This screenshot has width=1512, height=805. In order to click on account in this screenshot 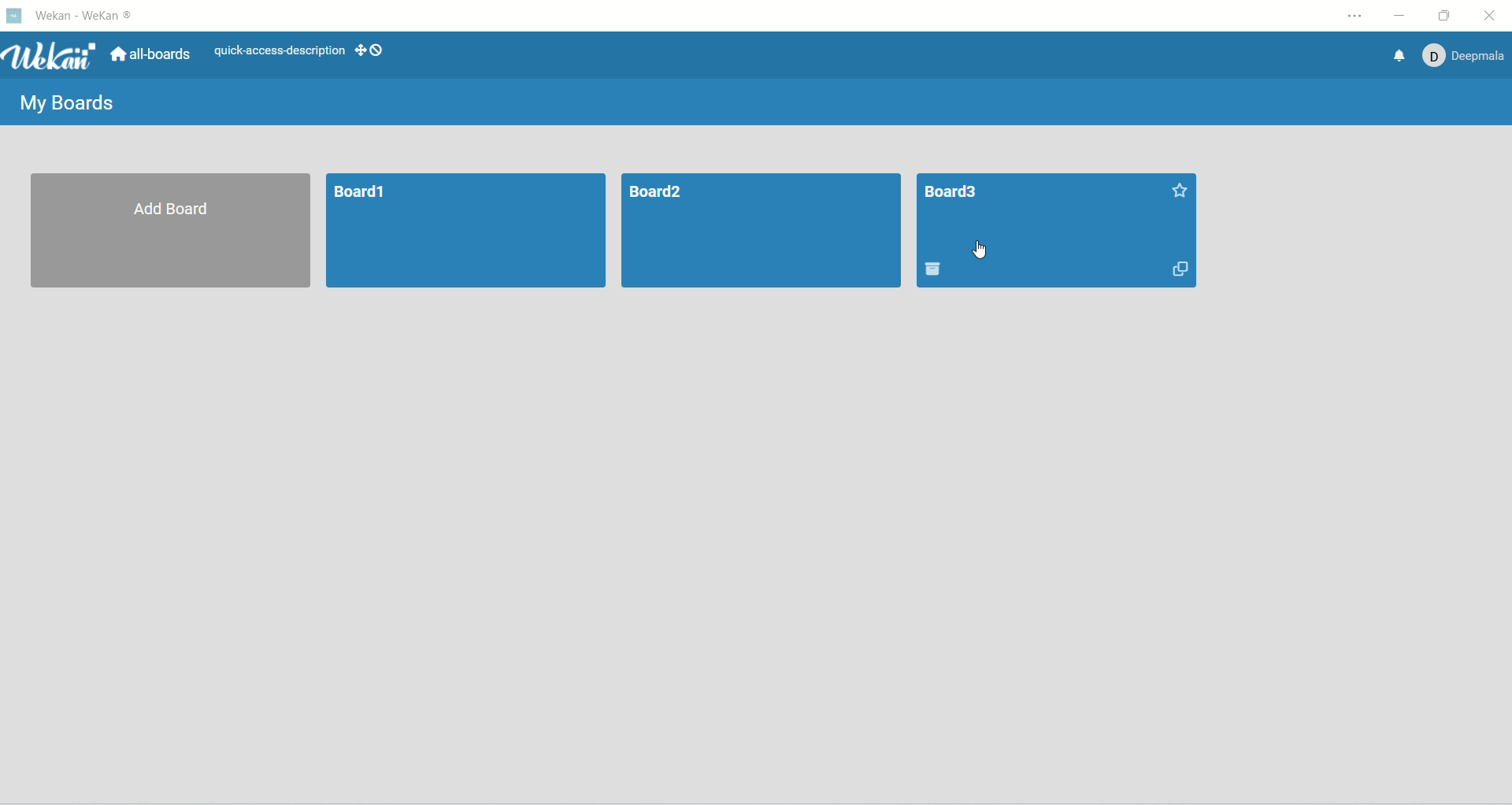, I will do `click(1459, 56)`.